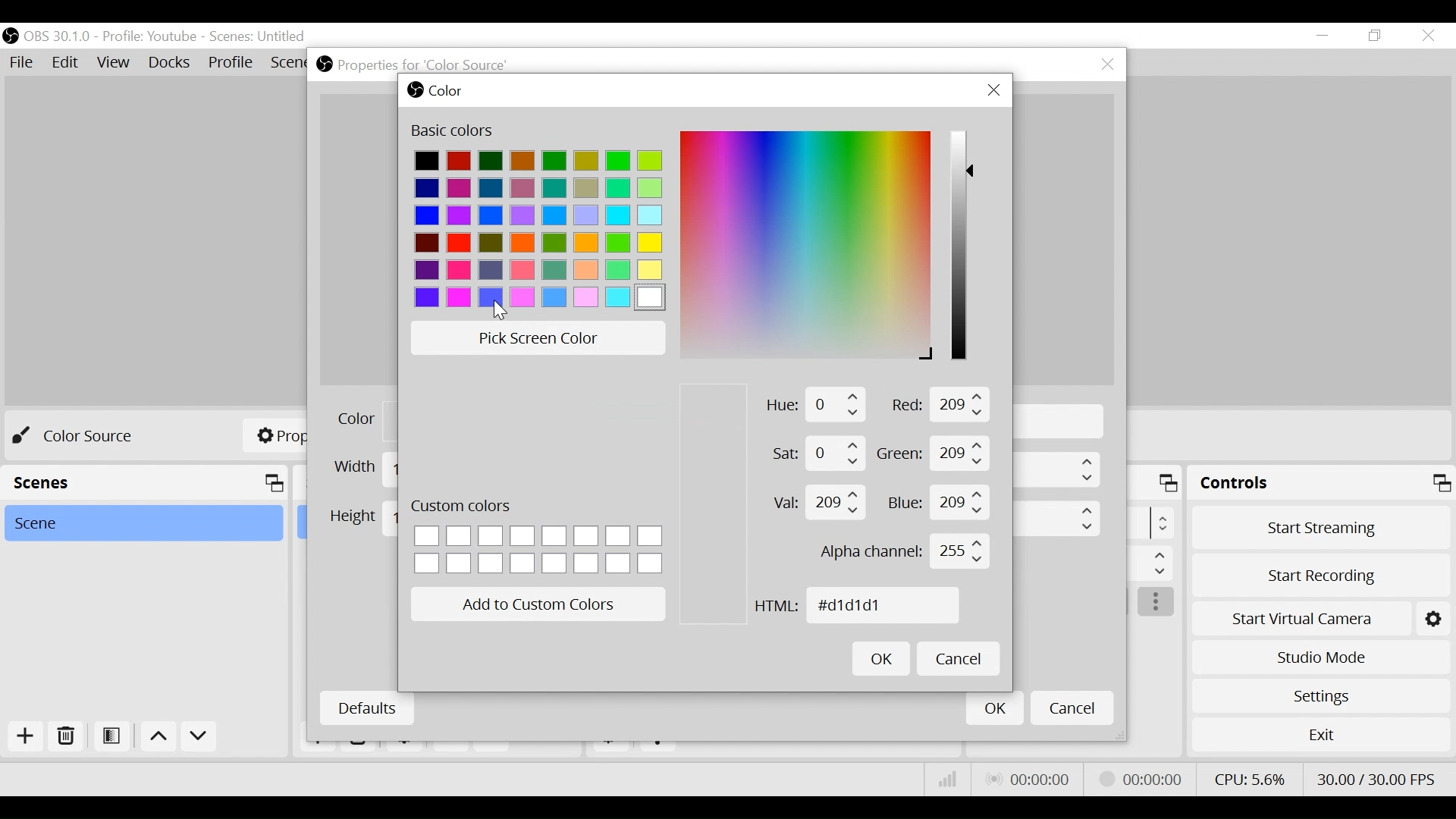 The width and height of the screenshot is (1456, 819). Describe the element at coordinates (201, 737) in the screenshot. I see `move down` at that location.